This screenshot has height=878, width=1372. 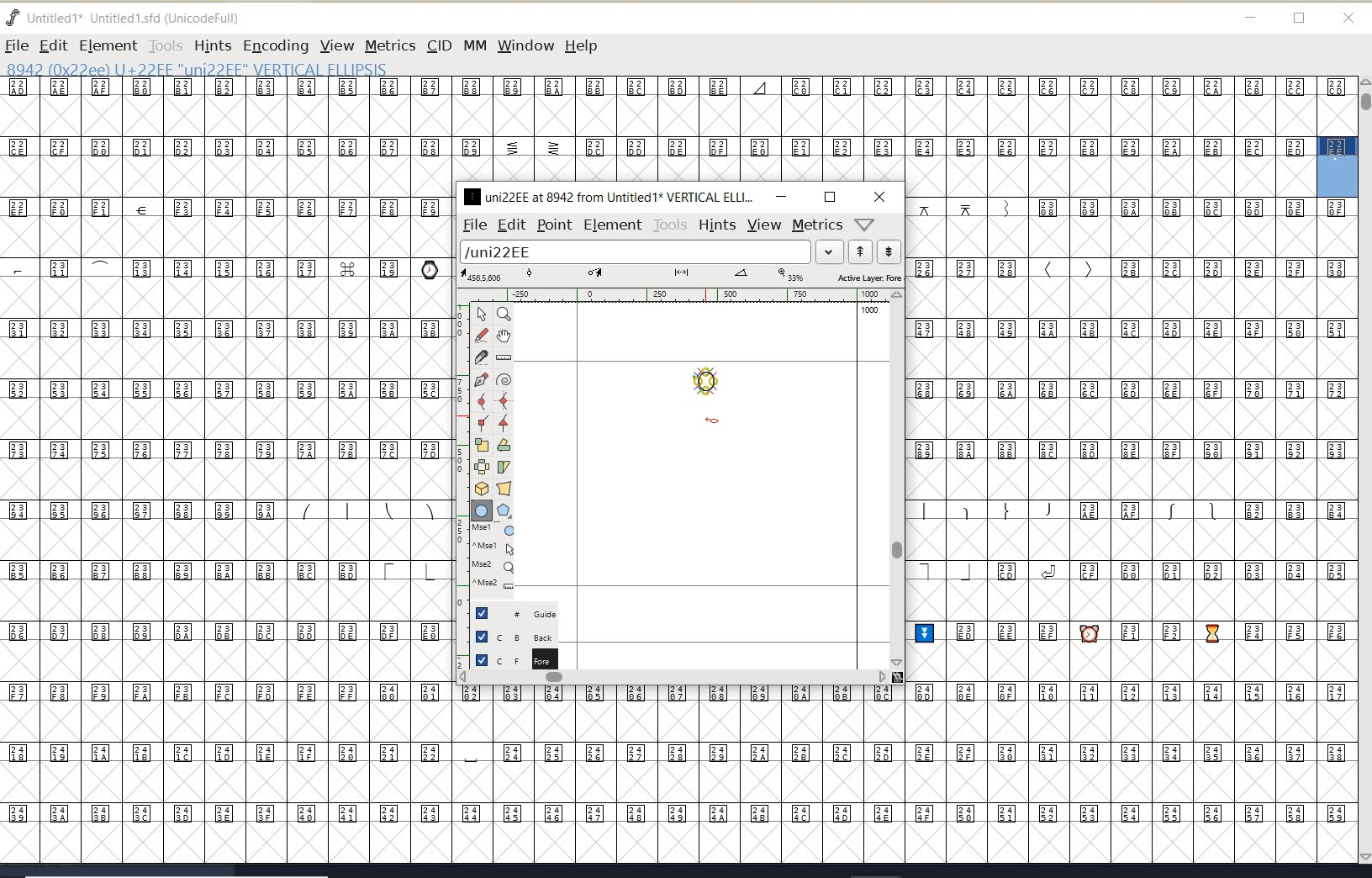 What do you see at coordinates (223, 431) in the screenshot?
I see `GLYPHY CHARACTERS & NUMBERS` at bounding box center [223, 431].